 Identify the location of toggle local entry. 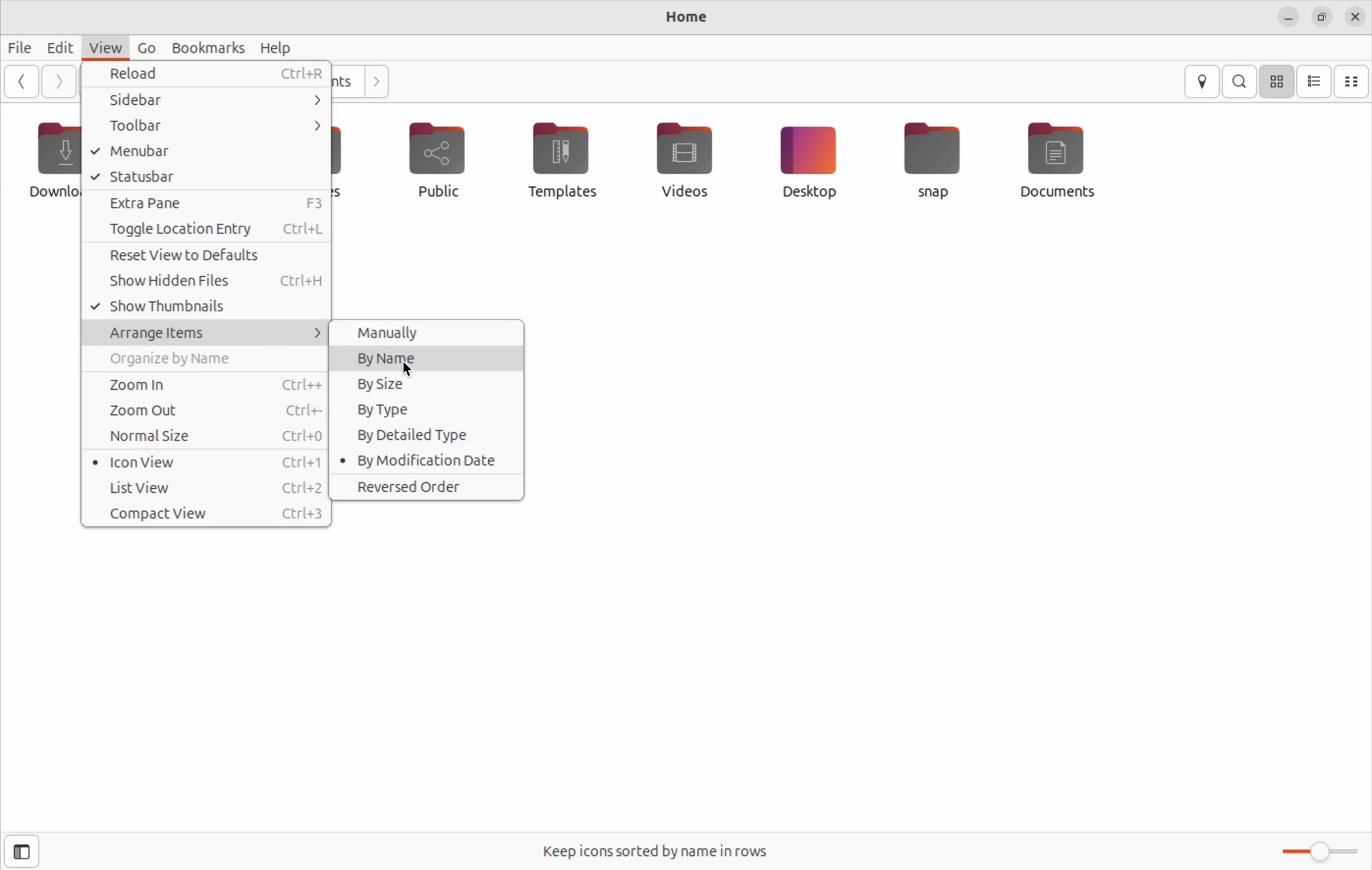
(205, 230).